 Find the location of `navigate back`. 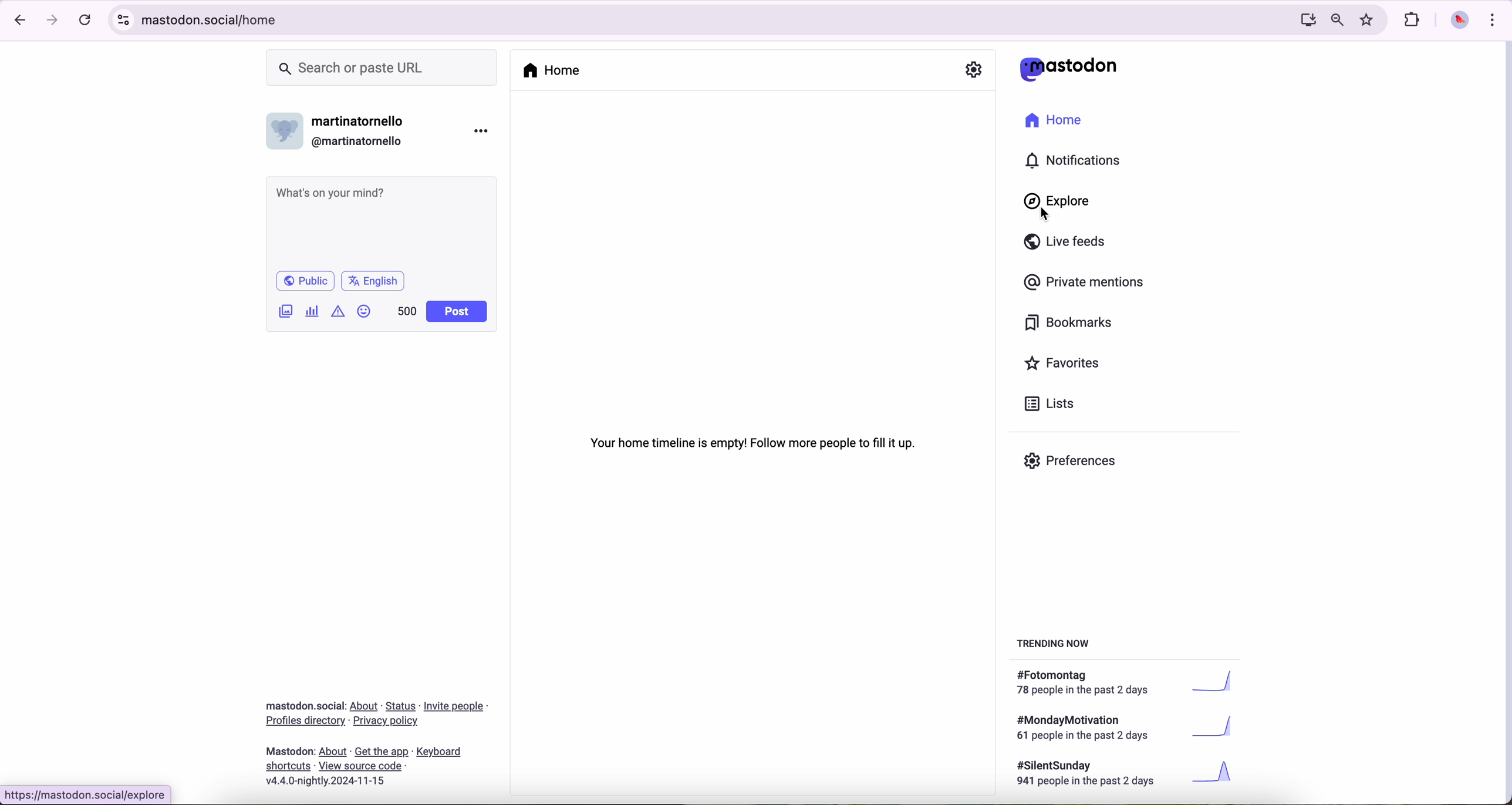

navigate back is located at coordinates (16, 19).